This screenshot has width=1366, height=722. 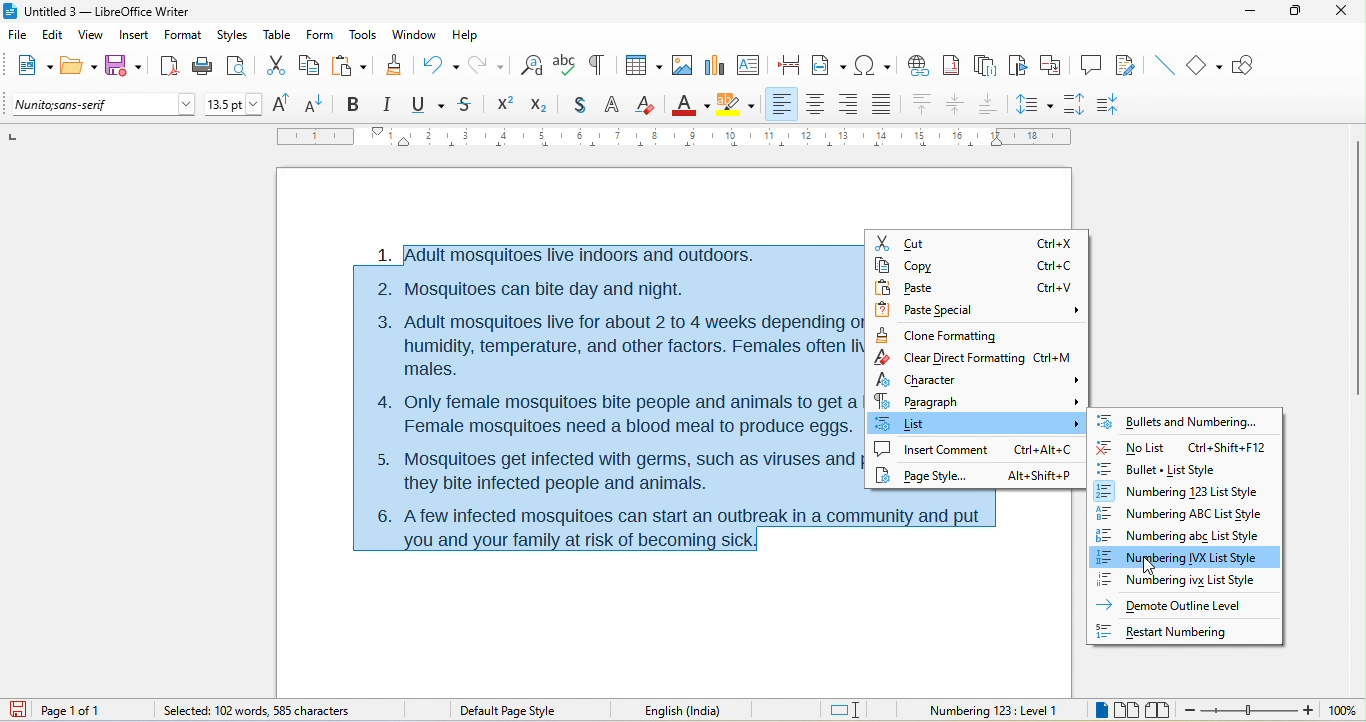 What do you see at coordinates (23, 711) in the screenshot?
I see `click to save the document` at bounding box center [23, 711].